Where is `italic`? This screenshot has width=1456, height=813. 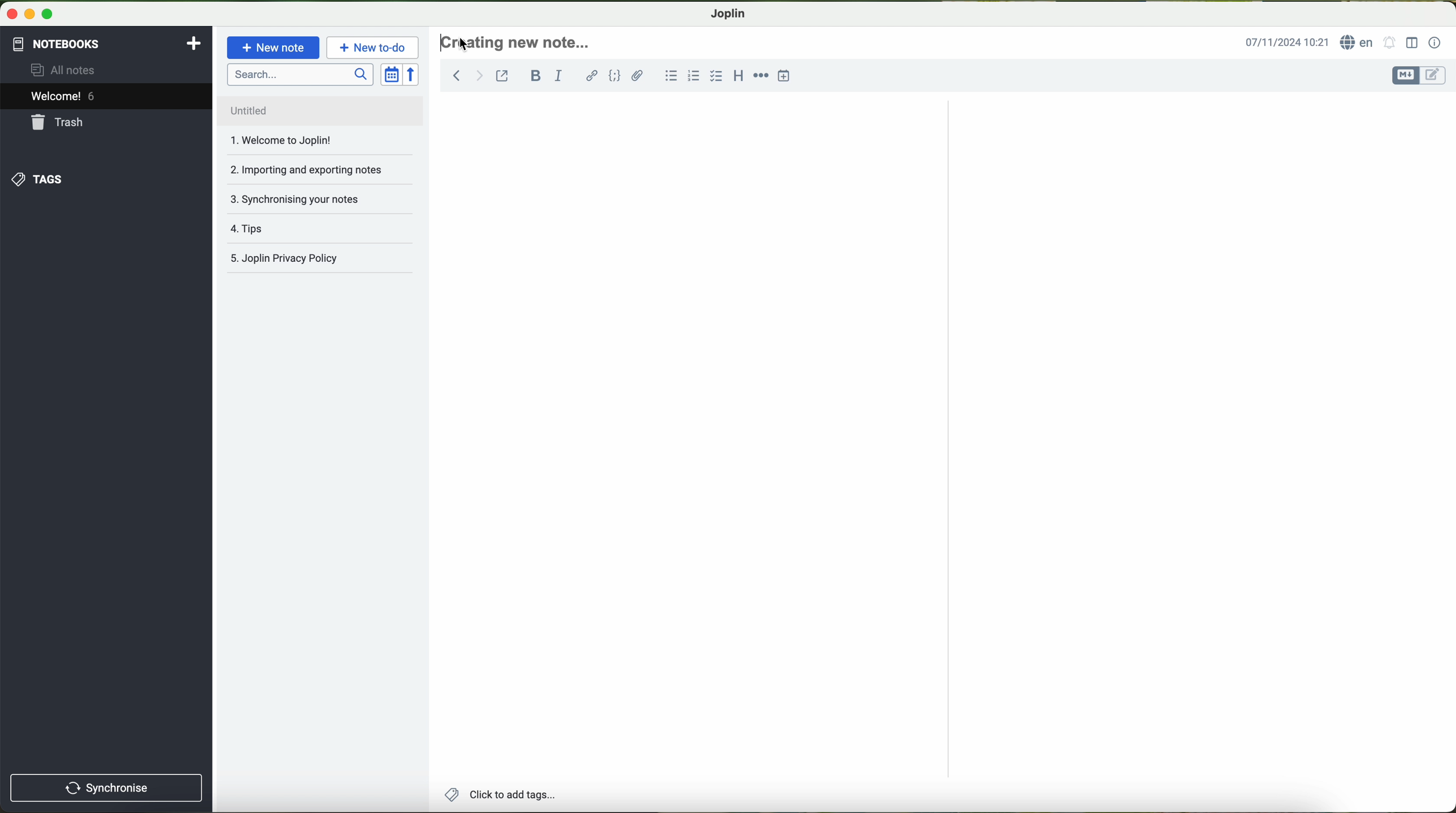
italic is located at coordinates (558, 75).